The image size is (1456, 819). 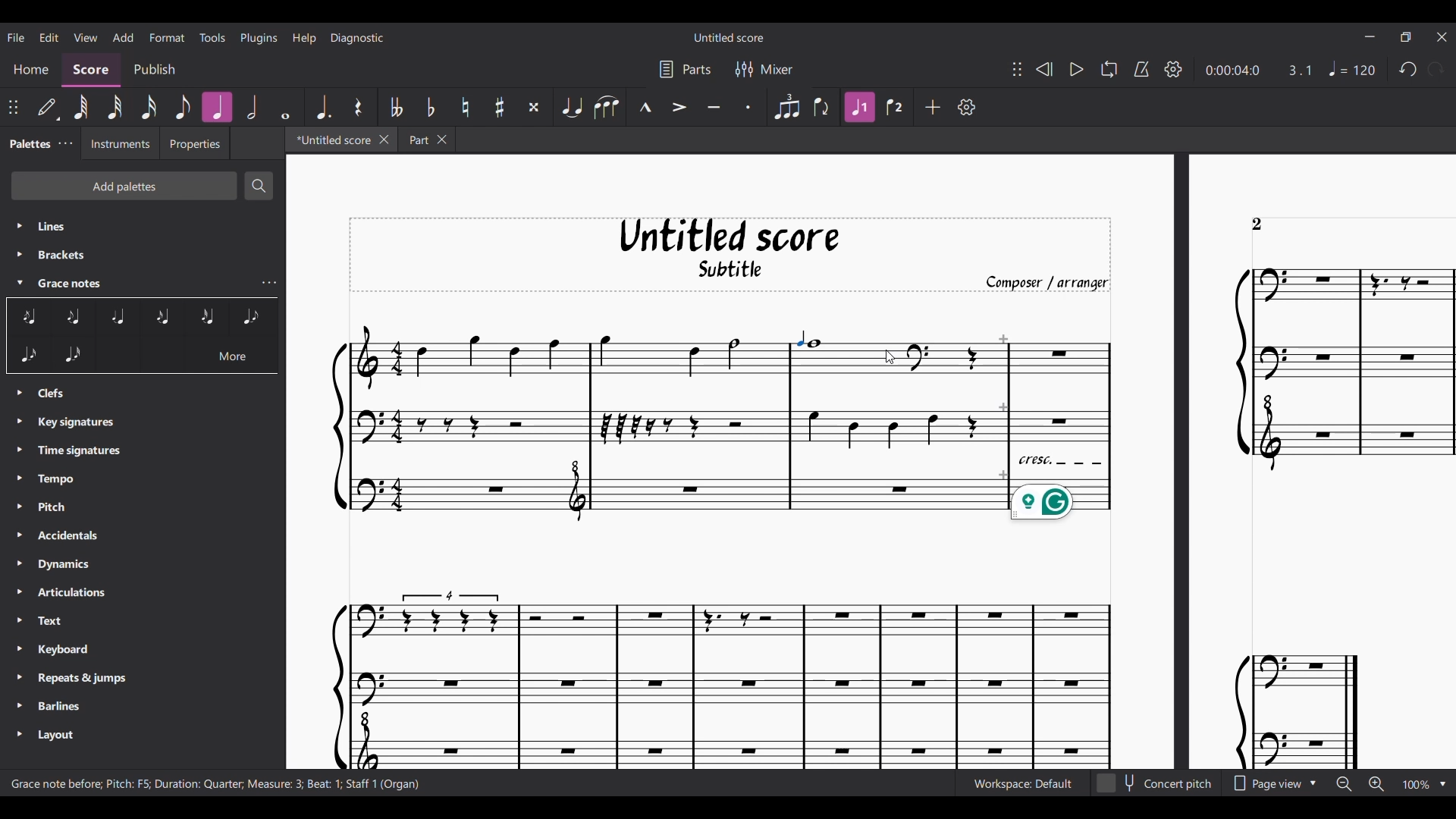 What do you see at coordinates (728, 37) in the screenshot?
I see `Score title` at bounding box center [728, 37].